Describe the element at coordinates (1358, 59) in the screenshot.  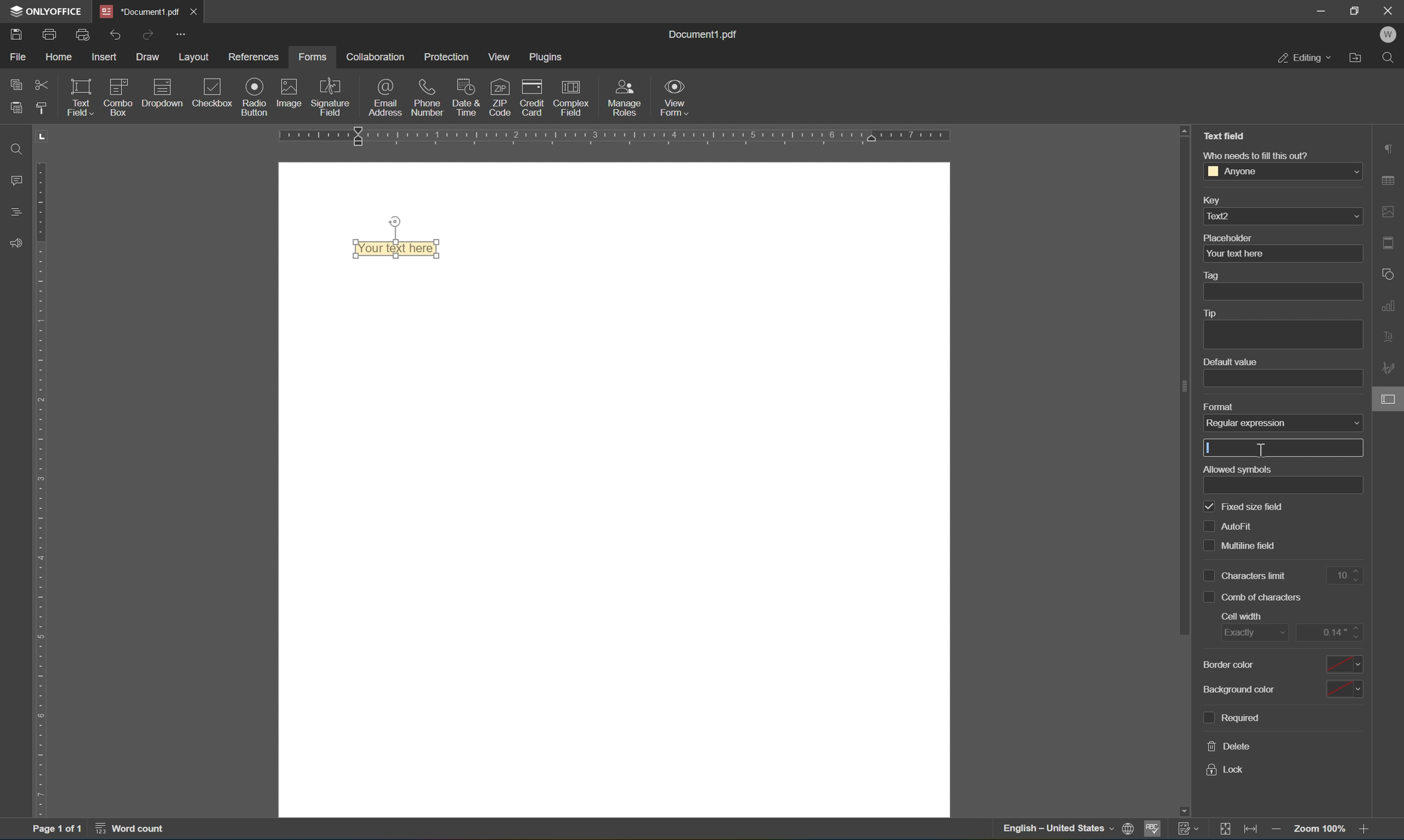
I see `open file location` at that location.